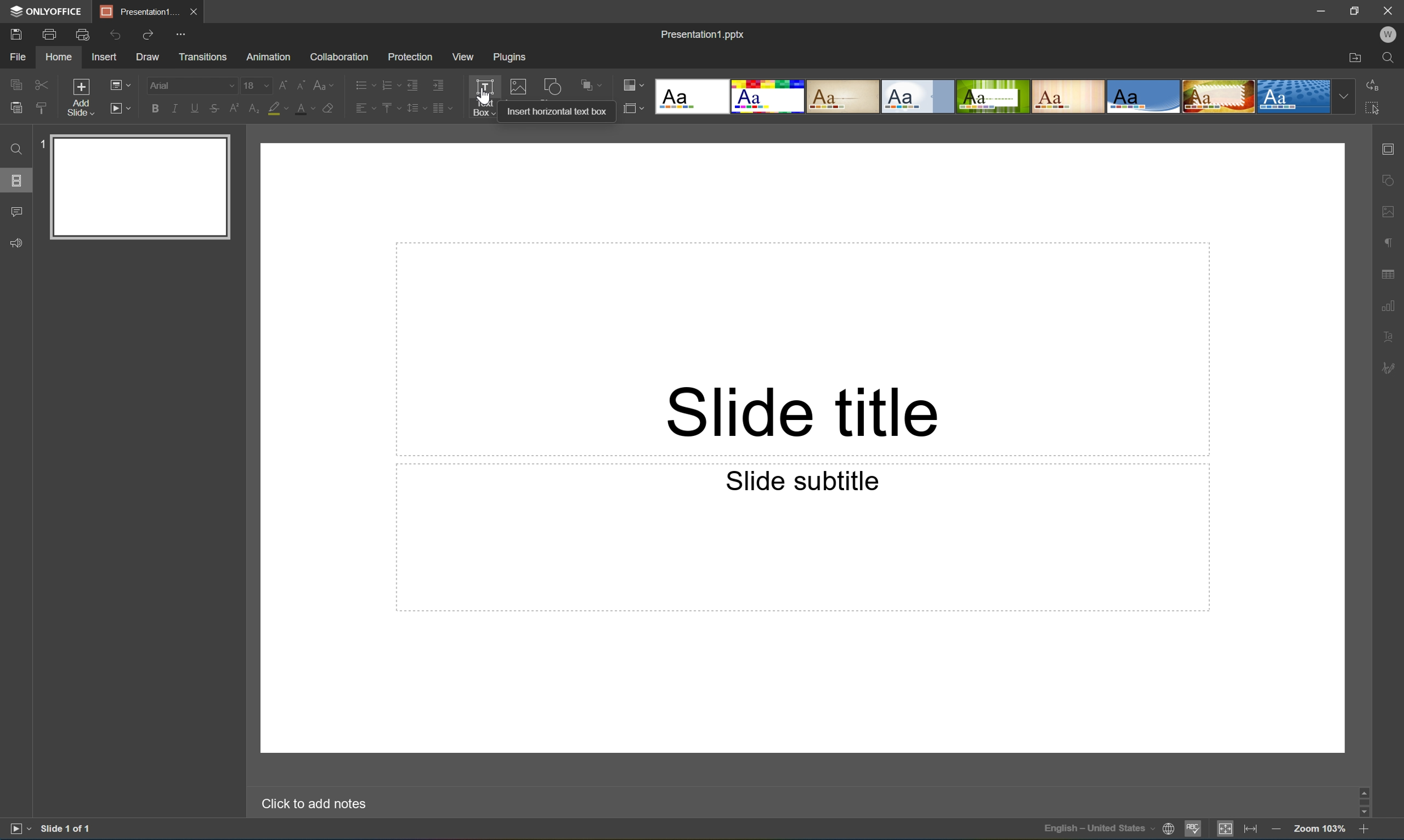 The width and height of the screenshot is (1404, 840). What do you see at coordinates (594, 85) in the screenshot?
I see `Arrange shape` at bounding box center [594, 85].